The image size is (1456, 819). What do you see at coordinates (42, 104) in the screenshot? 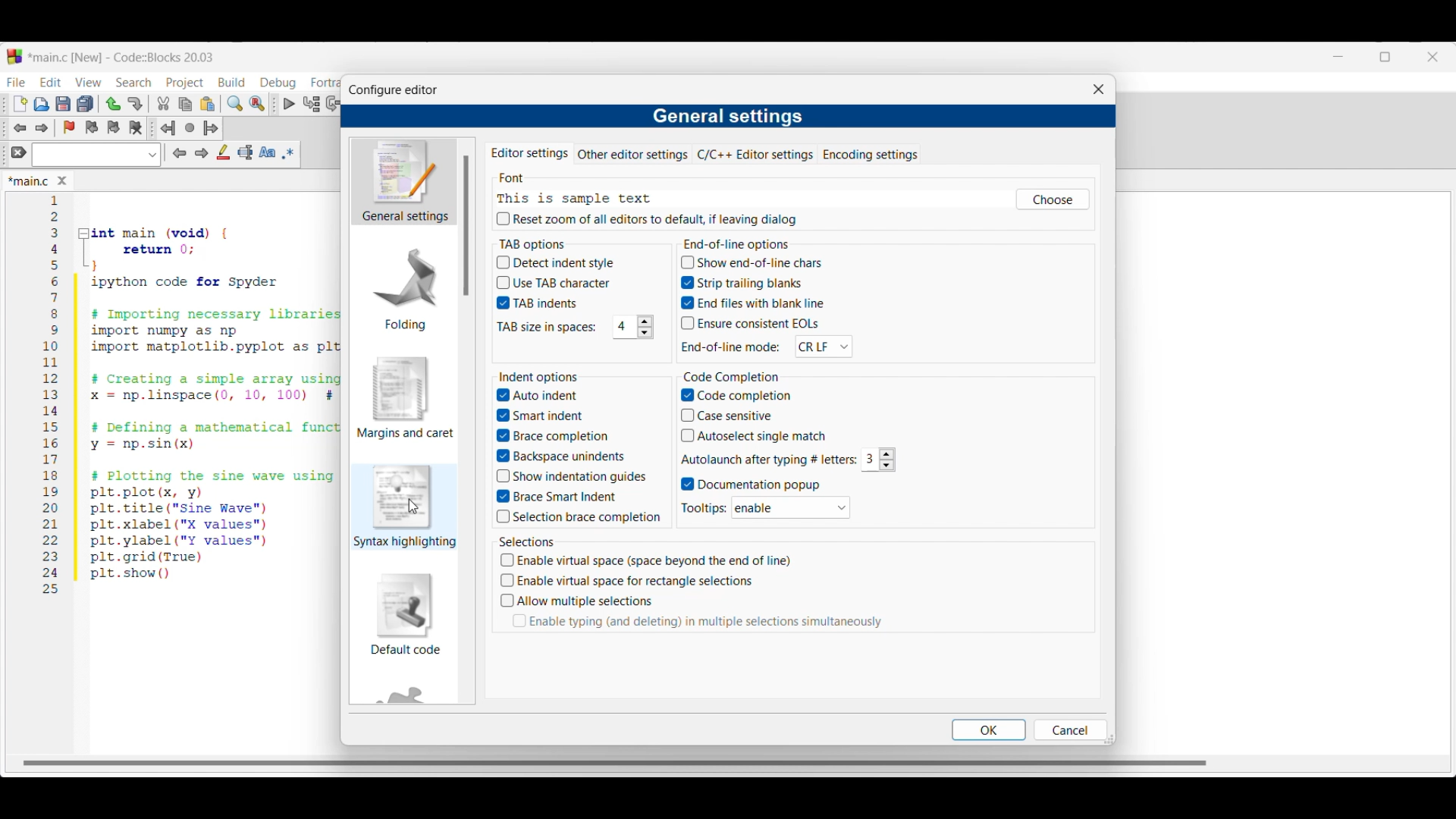
I see `Open` at bounding box center [42, 104].